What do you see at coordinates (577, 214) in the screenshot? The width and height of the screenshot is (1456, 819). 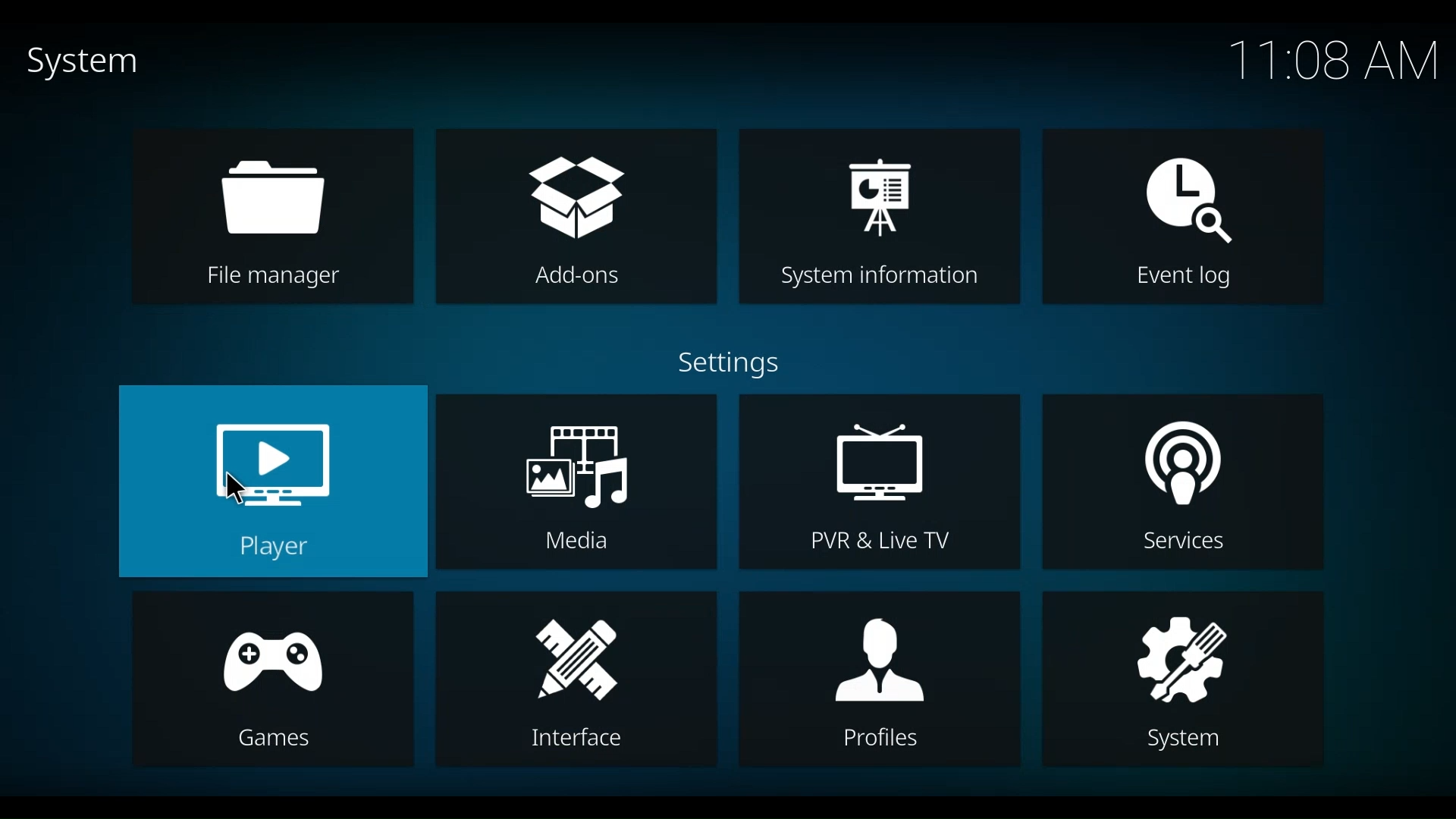 I see `Add-ons` at bounding box center [577, 214].